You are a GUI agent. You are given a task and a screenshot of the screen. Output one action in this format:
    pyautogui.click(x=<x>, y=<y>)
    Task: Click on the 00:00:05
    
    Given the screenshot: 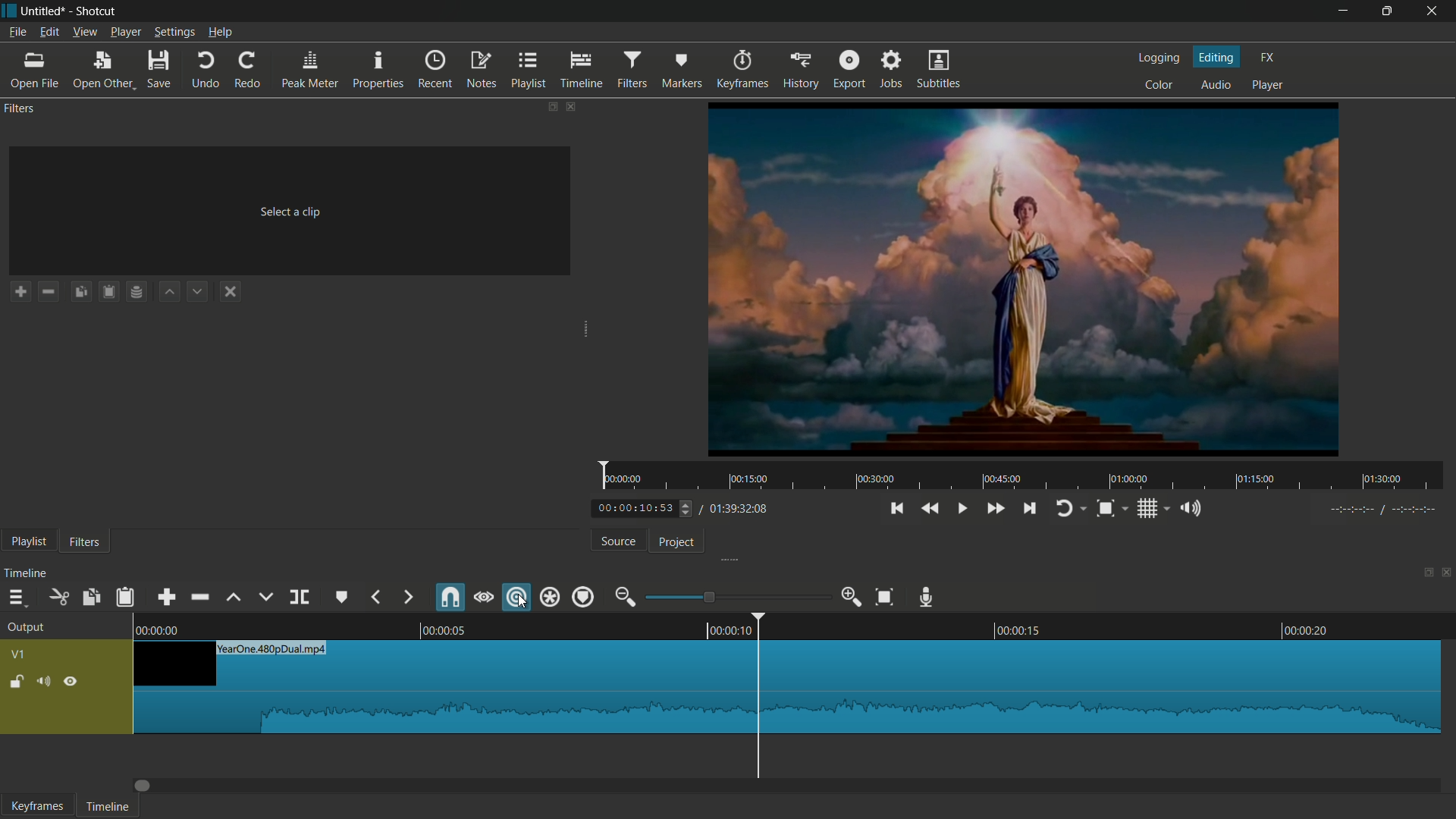 What is the action you would take?
    pyautogui.click(x=443, y=630)
    